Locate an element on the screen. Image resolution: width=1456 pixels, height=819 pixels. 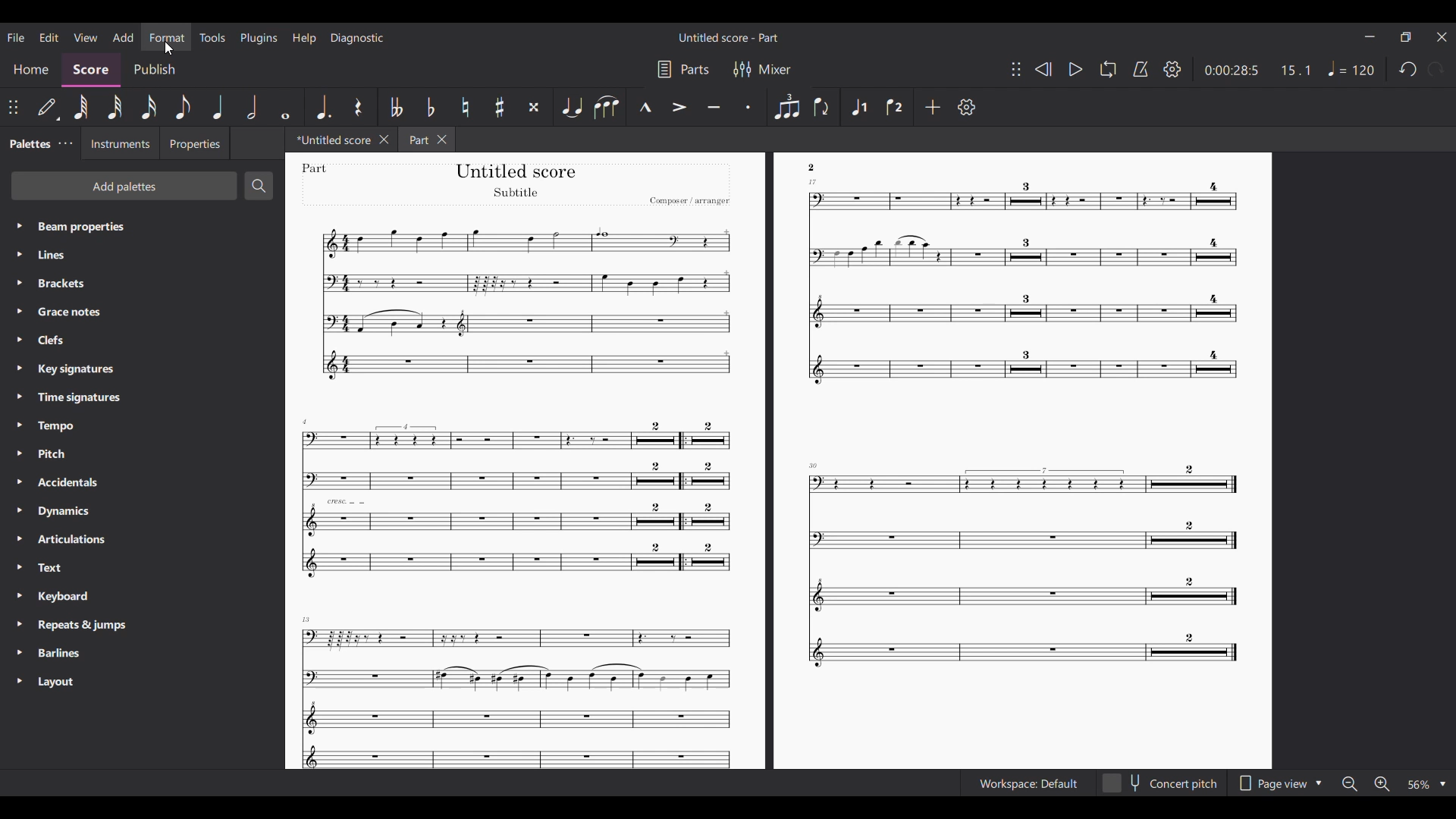
Accidentals is located at coordinates (68, 482).